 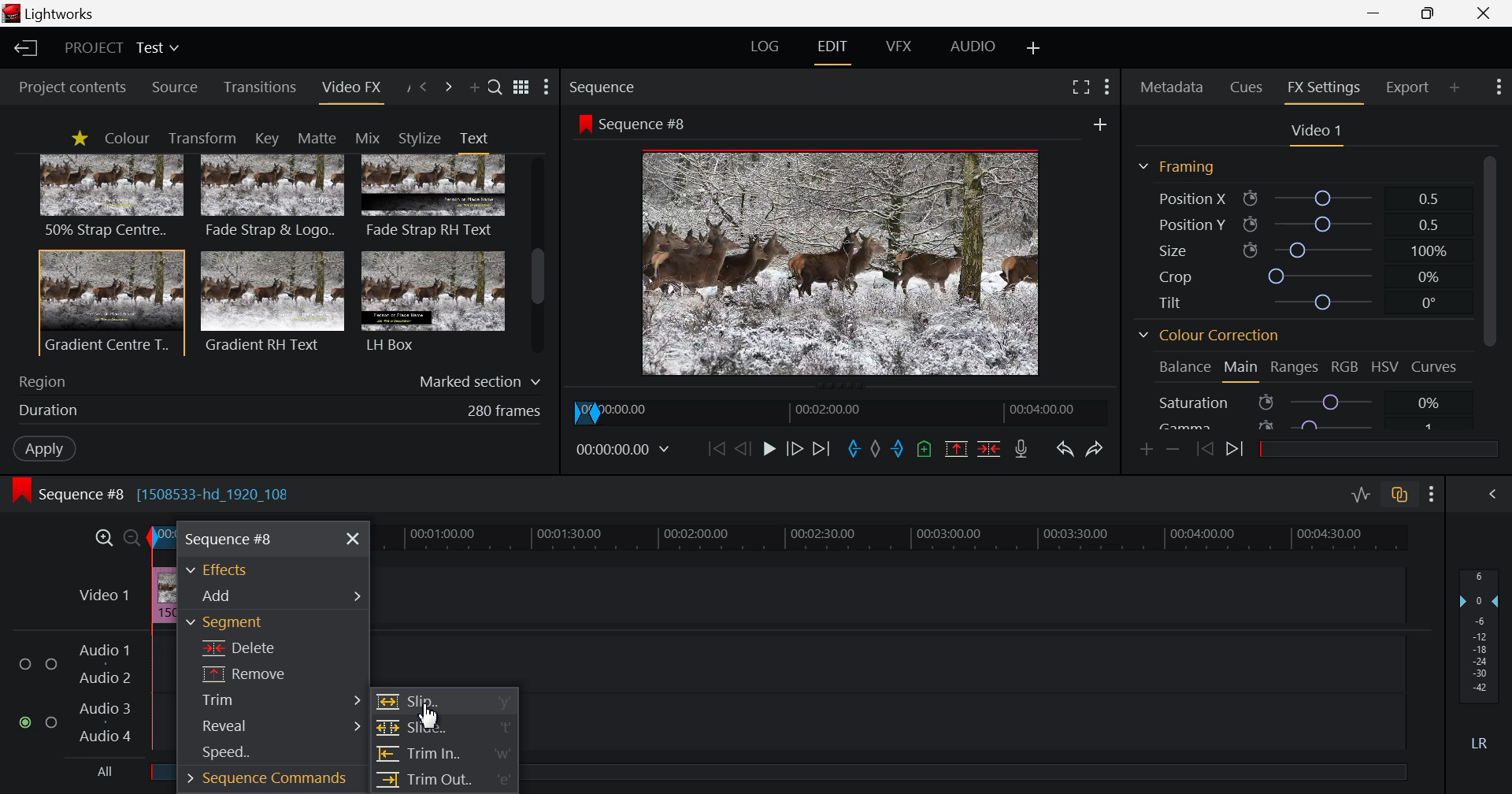 What do you see at coordinates (1242, 369) in the screenshot?
I see `Main Tab Open` at bounding box center [1242, 369].